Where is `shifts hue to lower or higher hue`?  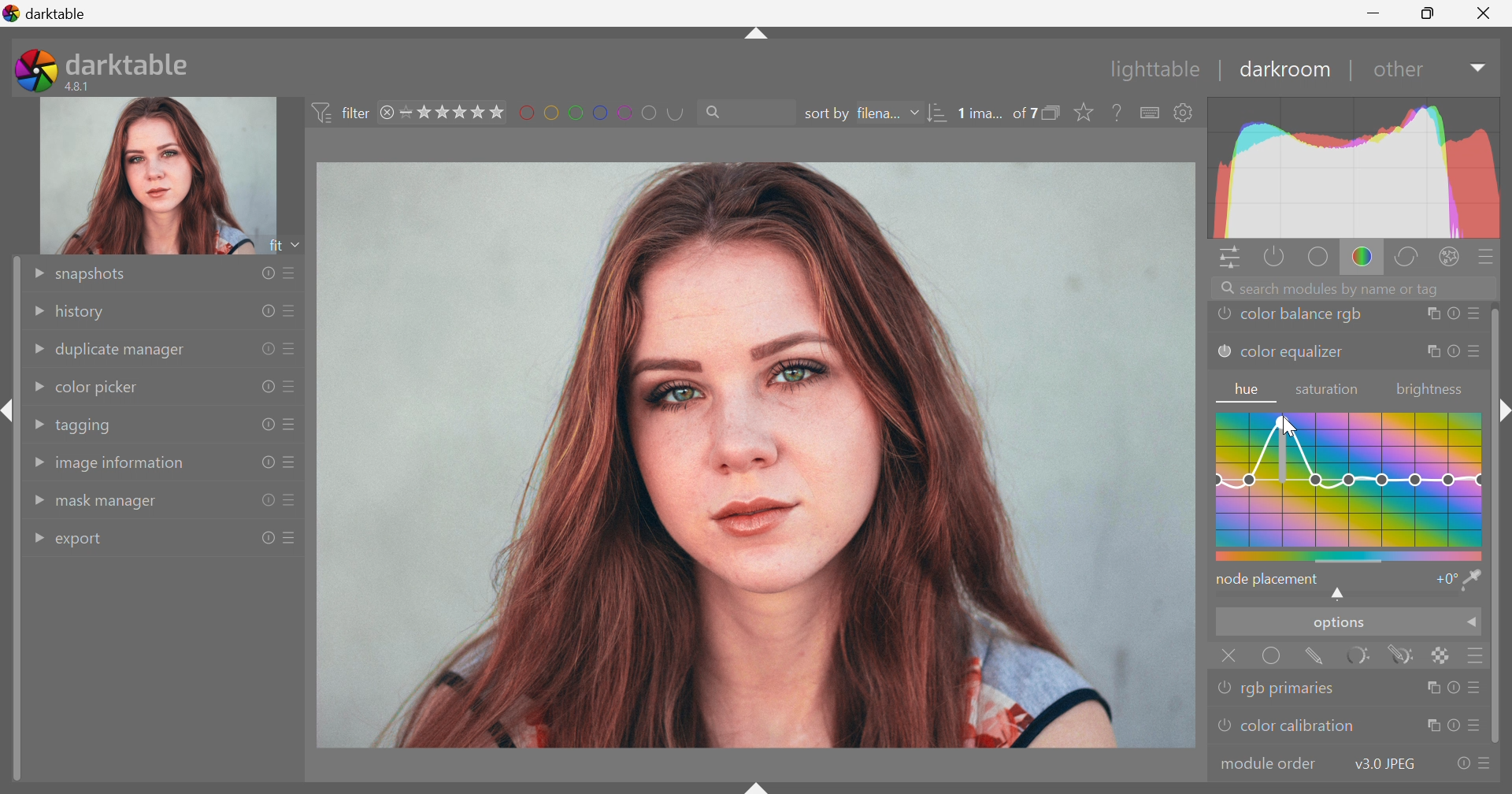
shifts hue to lower or higher hue is located at coordinates (1341, 595).